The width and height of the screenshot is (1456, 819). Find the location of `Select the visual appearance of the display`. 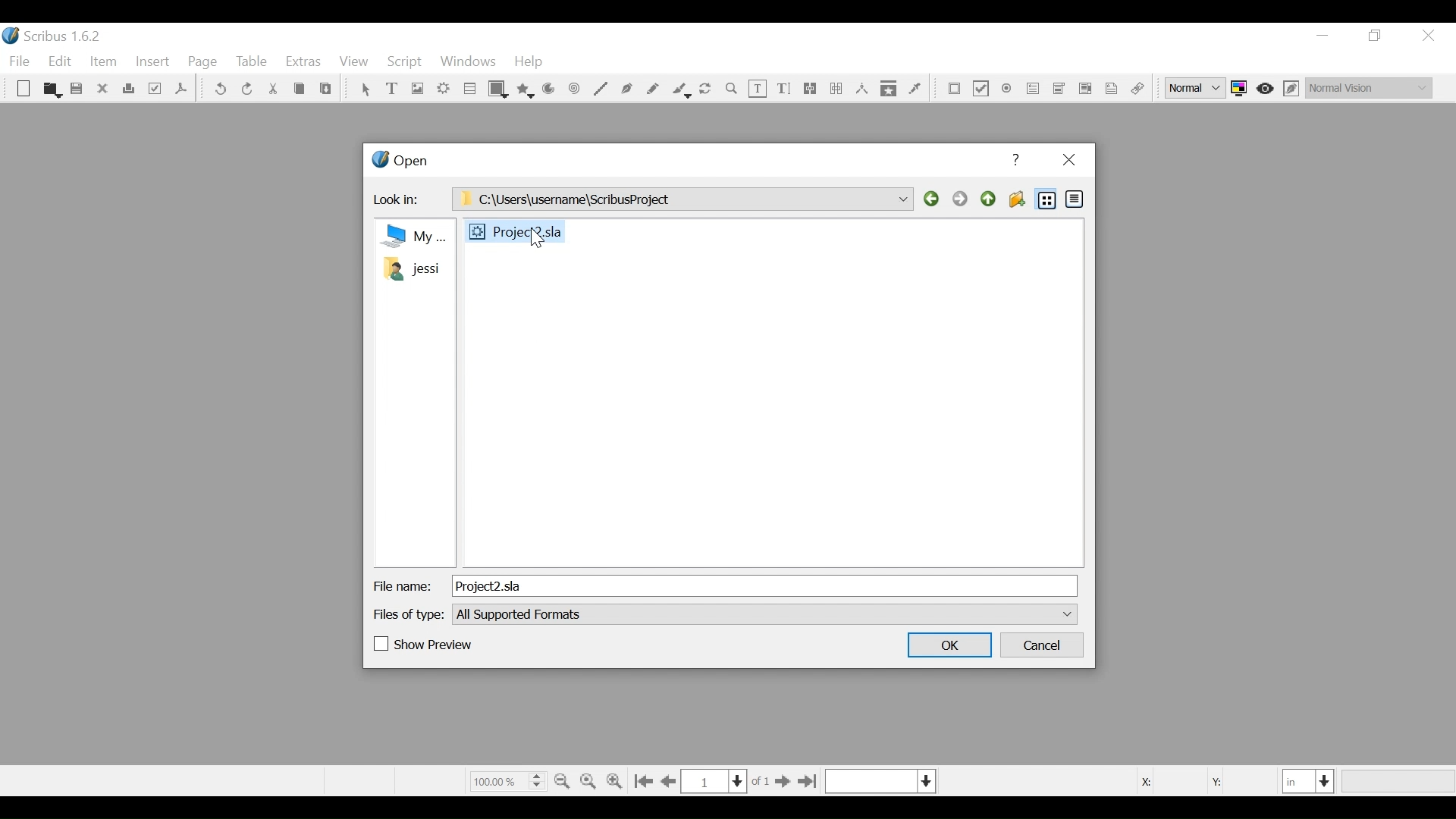

Select the visual appearance of the display is located at coordinates (1368, 86).